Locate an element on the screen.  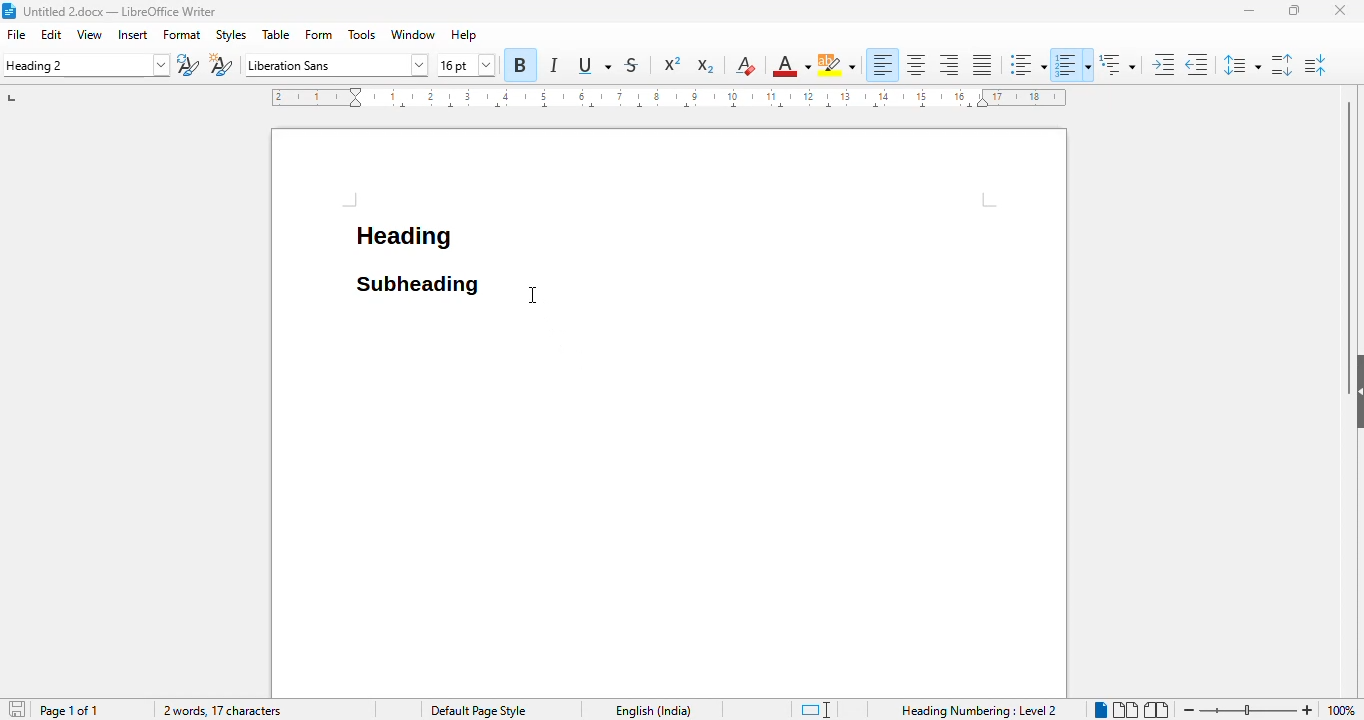
page 1 of 1 is located at coordinates (69, 711).